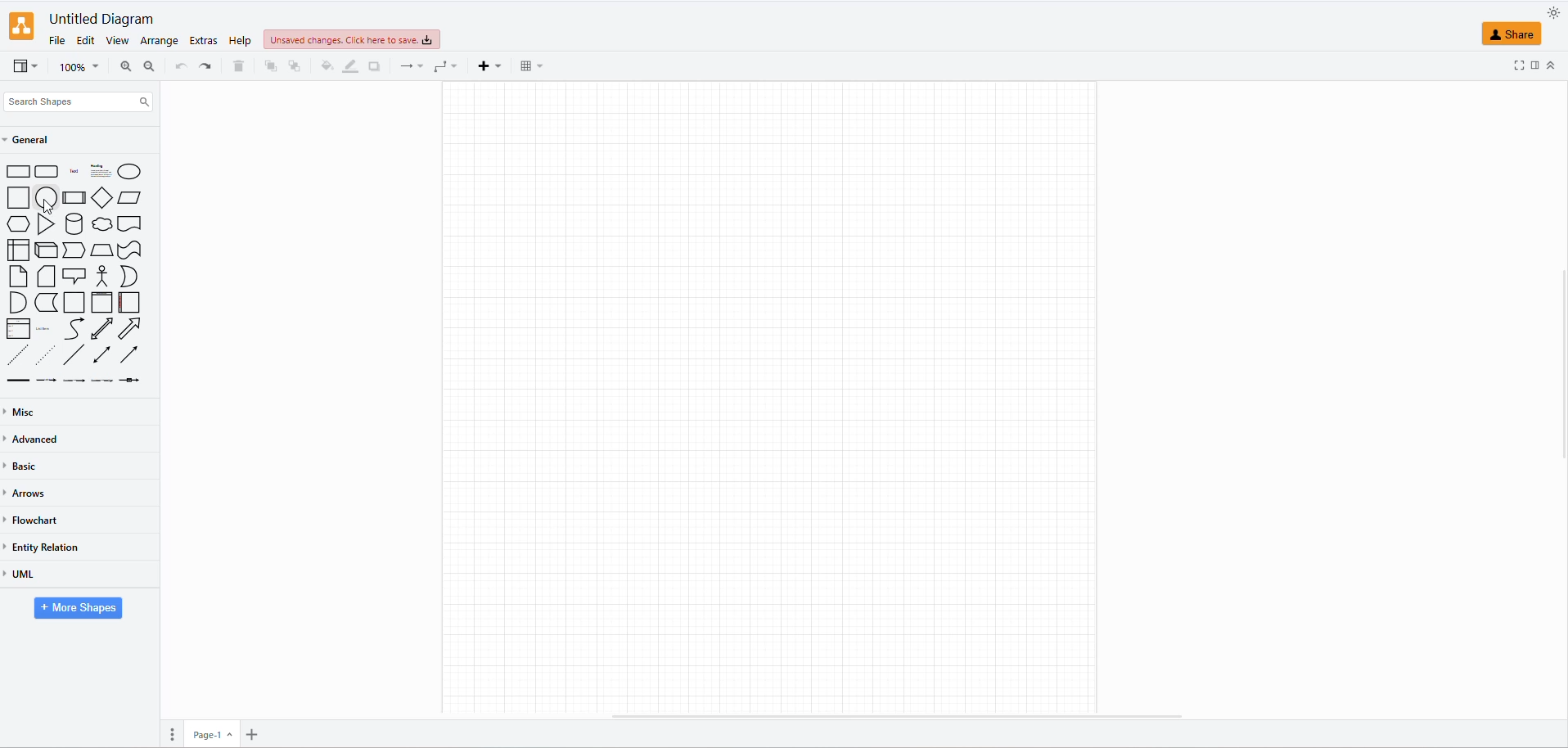 The height and width of the screenshot is (748, 1568). What do you see at coordinates (442, 70) in the screenshot?
I see `WAYPOINTS` at bounding box center [442, 70].